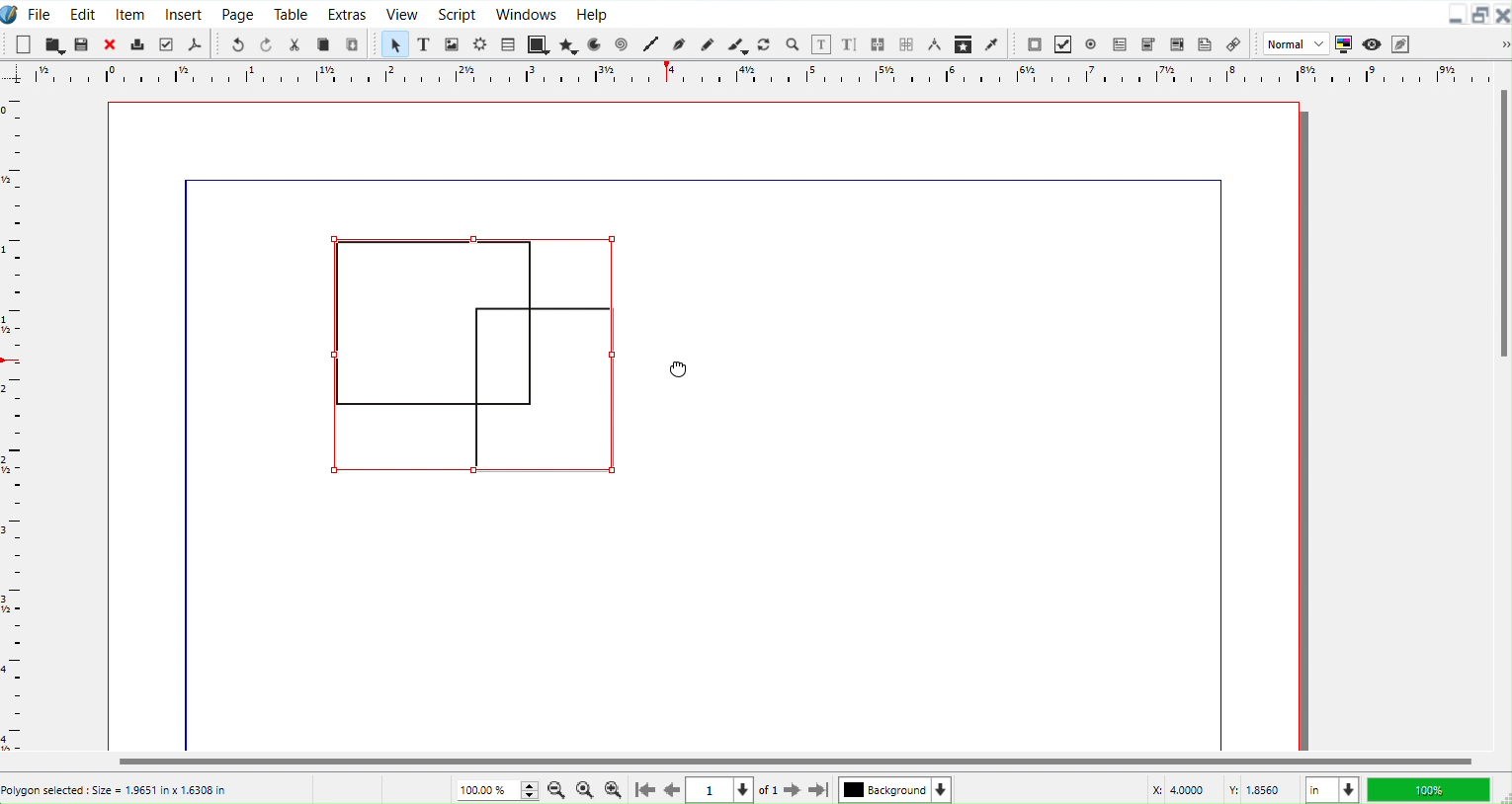 This screenshot has width=1512, height=804. What do you see at coordinates (1205, 42) in the screenshot?
I see `Text Annotation` at bounding box center [1205, 42].